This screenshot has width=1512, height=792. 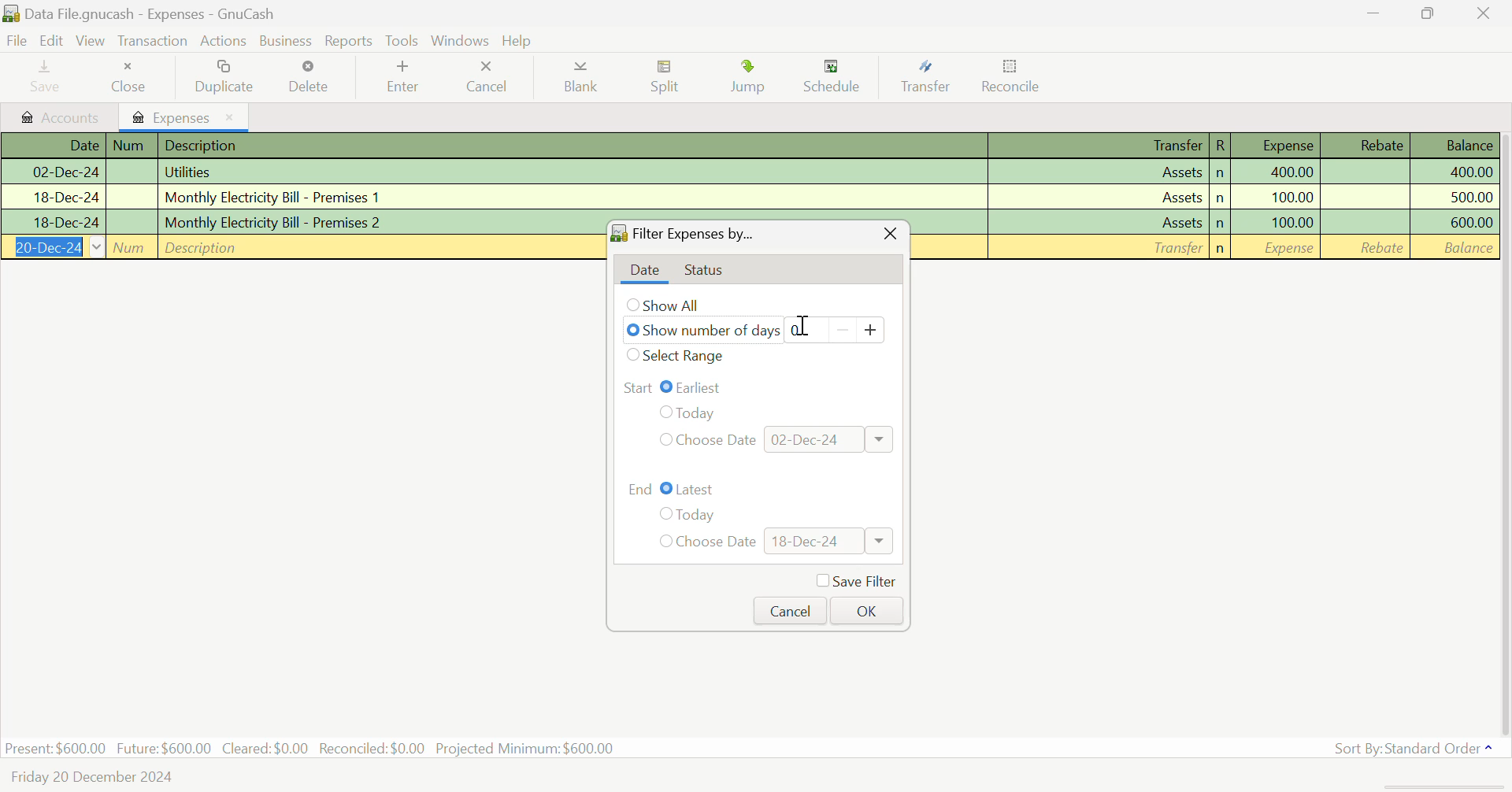 What do you see at coordinates (1221, 146) in the screenshot?
I see `R` at bounding box center [1221, 146].